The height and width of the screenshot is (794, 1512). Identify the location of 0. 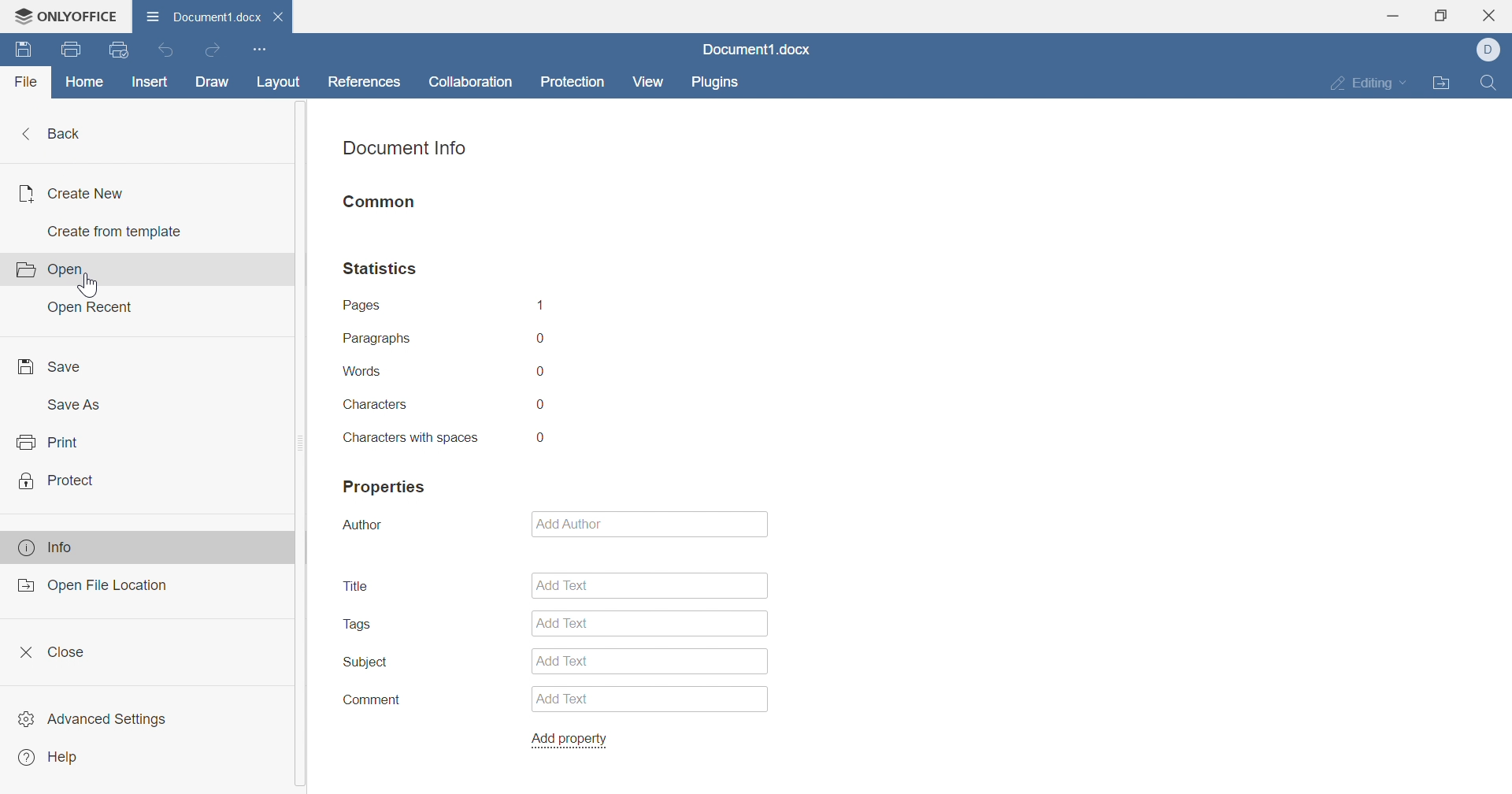
(541, 339).